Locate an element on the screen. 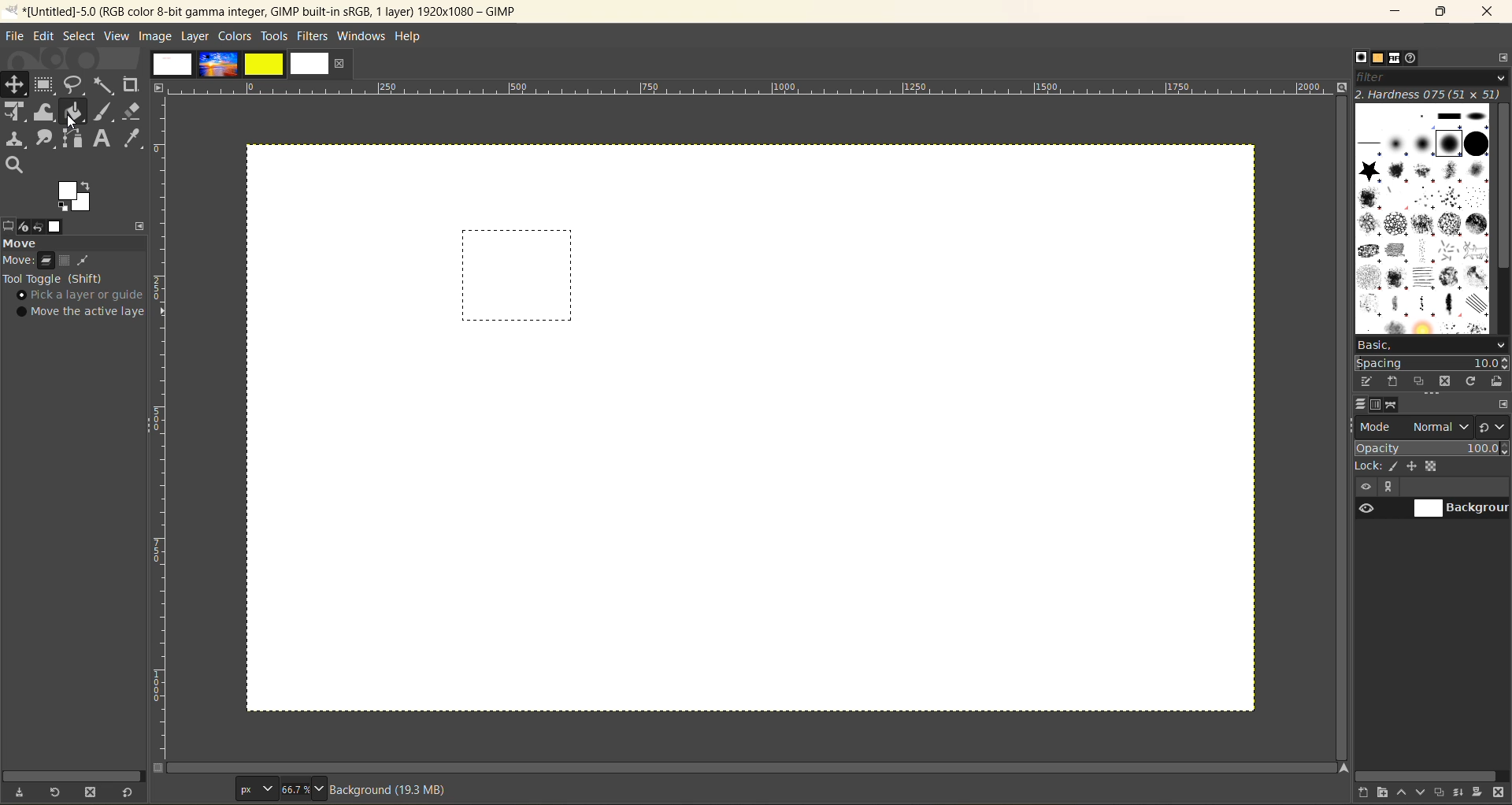 The width and height of the screenshot is (1512, 805). preview is located at coordinates (1365, 510).